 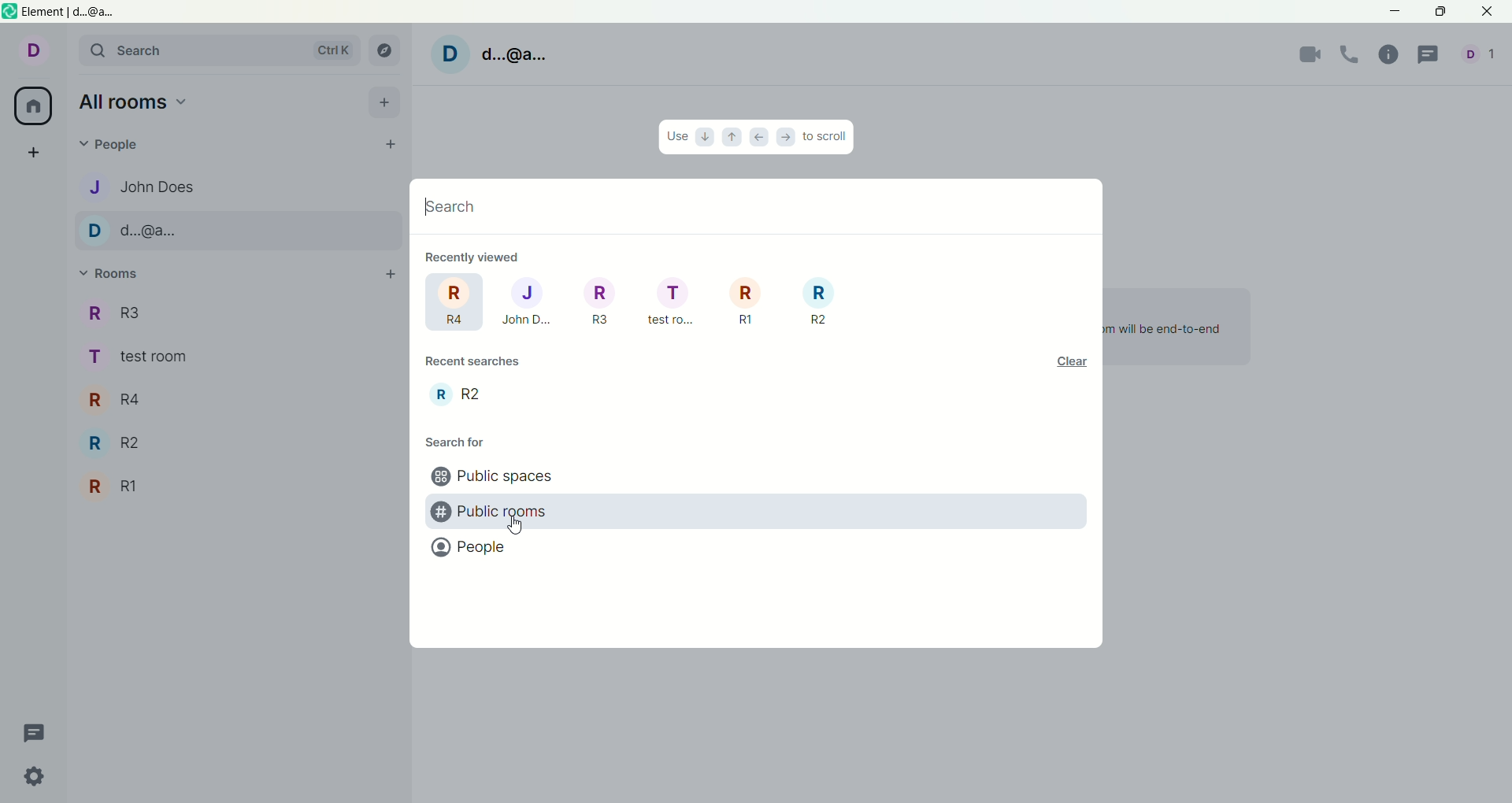 What do you see at coordinates (788, 137) in the screenshot?
I see `right arrow` at bounding box center [788, 137].